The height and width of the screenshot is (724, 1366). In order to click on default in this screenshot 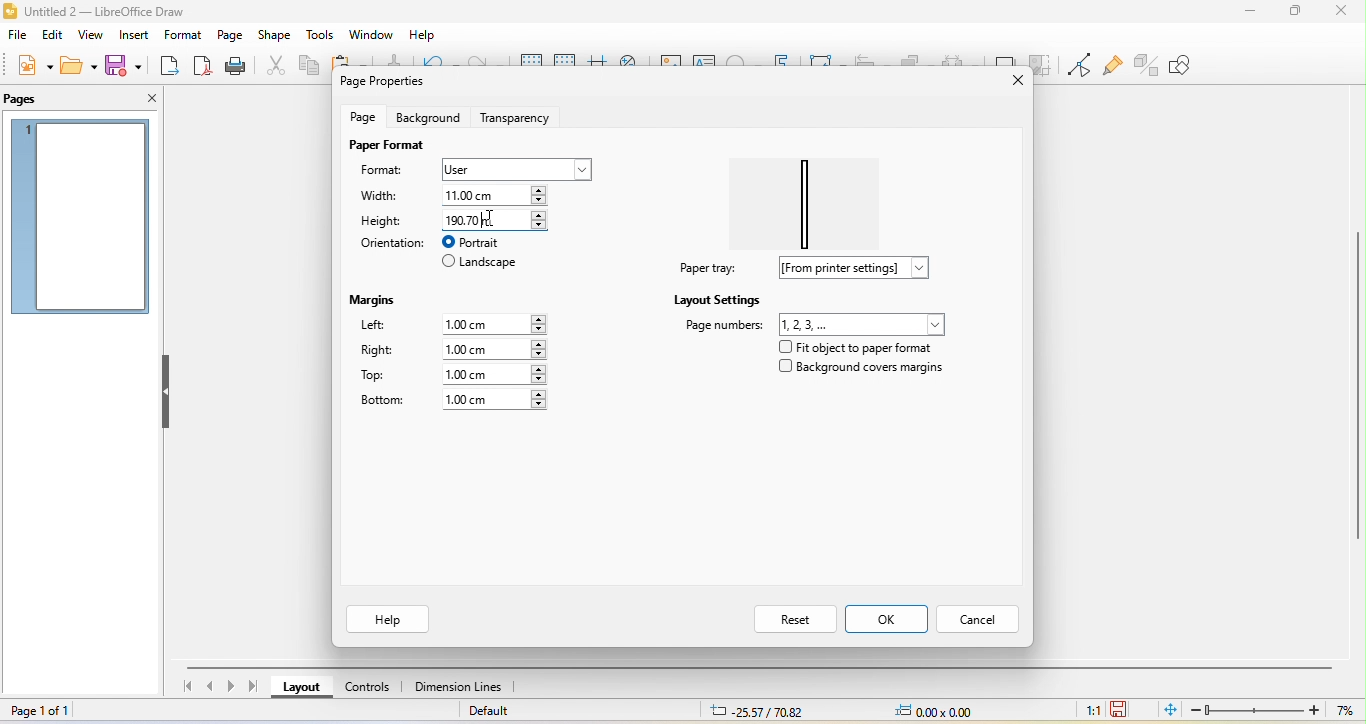, I will do `click(501, 713)`.